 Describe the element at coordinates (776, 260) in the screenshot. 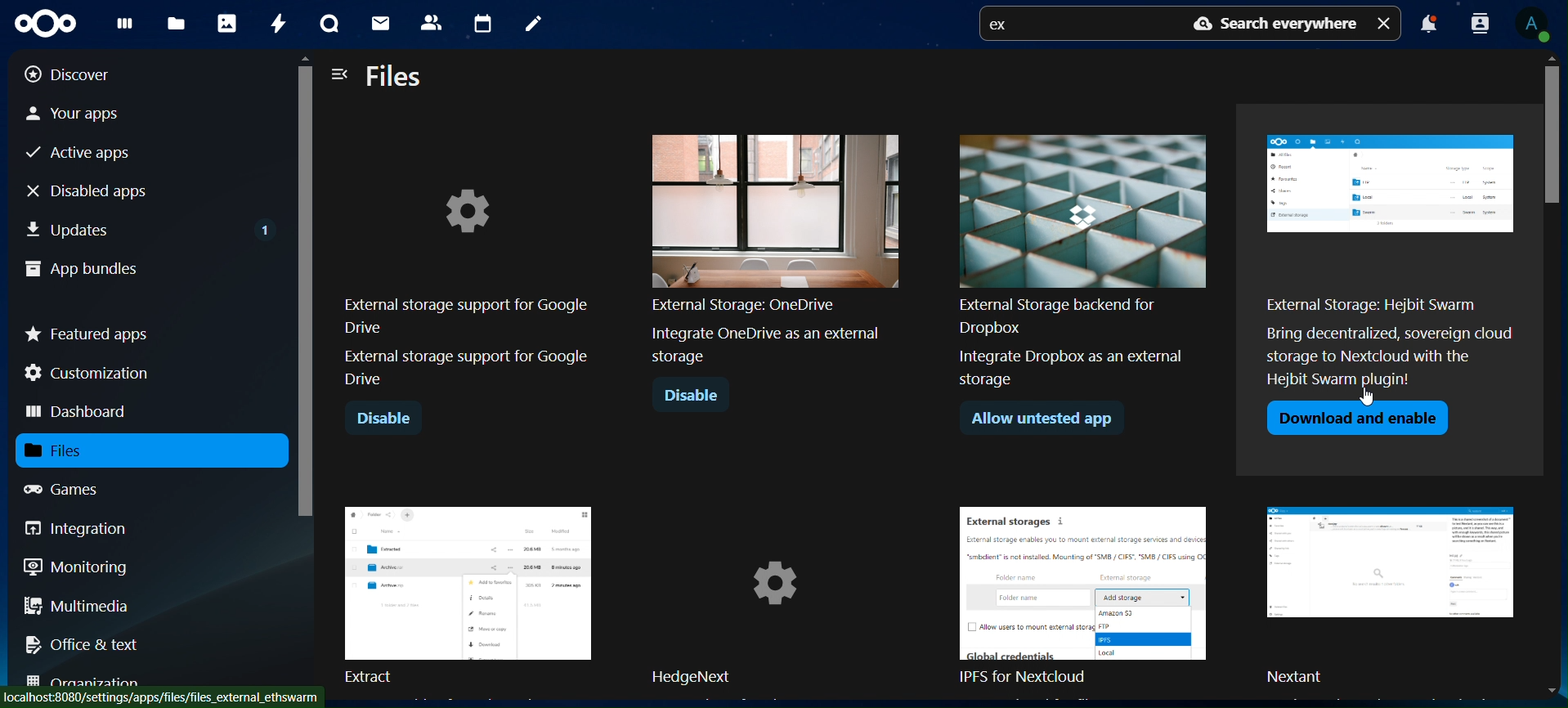

I see `external storage support for dropbox integrate dropbox as external storage support for google drive` at that location.